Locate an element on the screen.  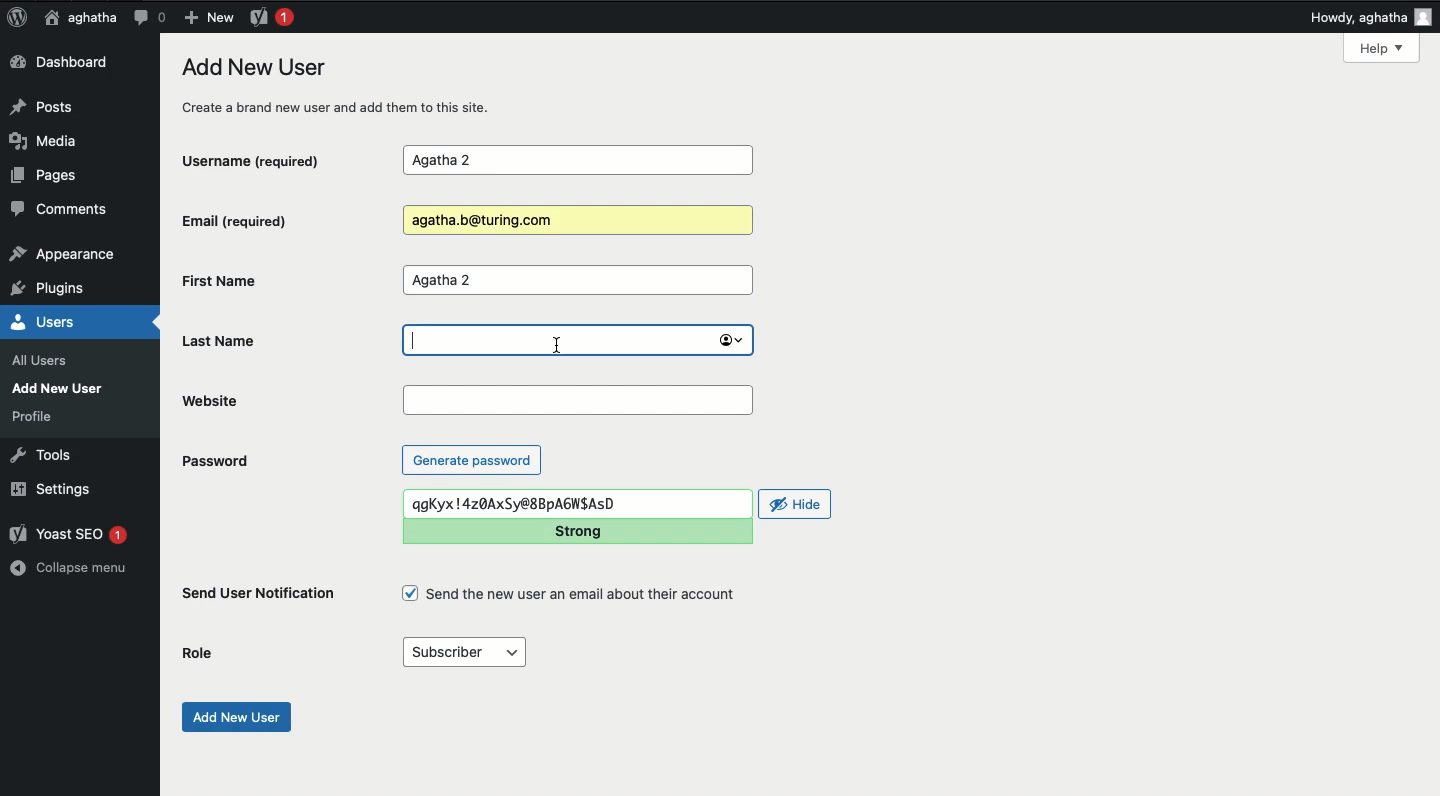
Dashboard is located at coordinates (65, 63).